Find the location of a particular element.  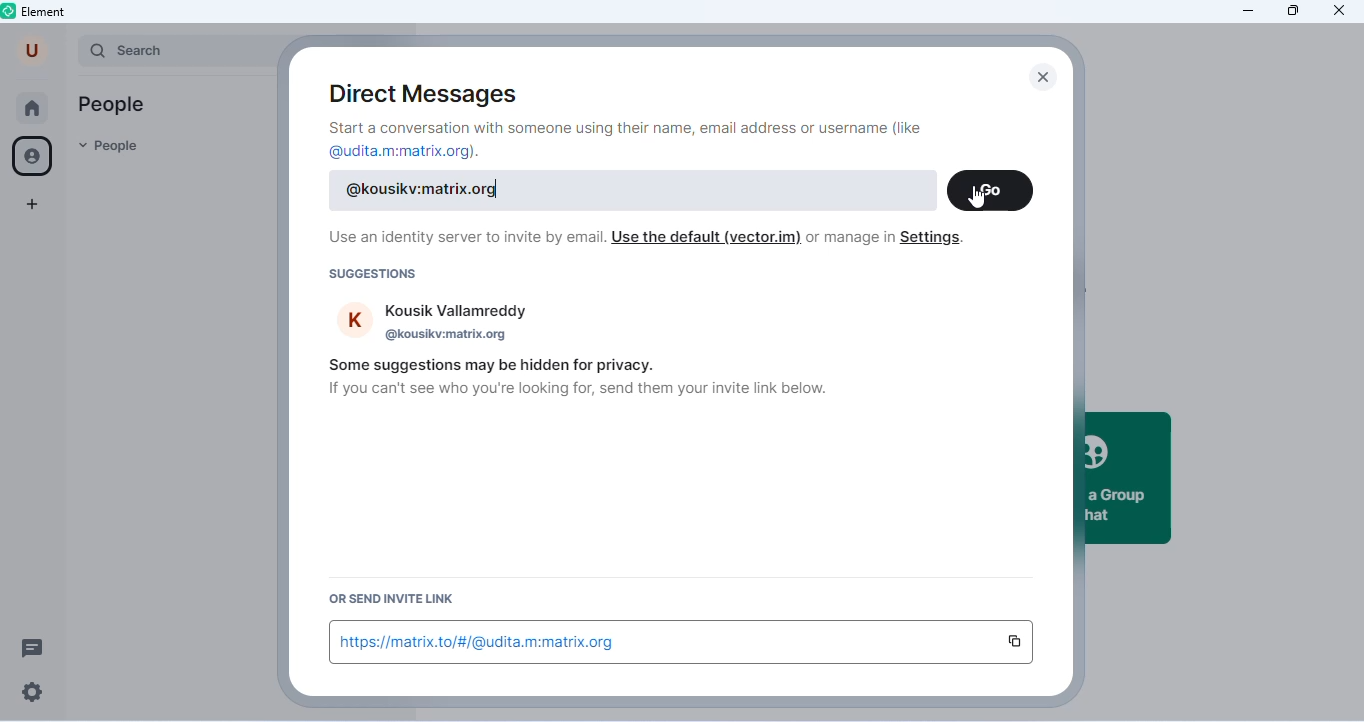

minimize is located at coordinates (1246, 11).